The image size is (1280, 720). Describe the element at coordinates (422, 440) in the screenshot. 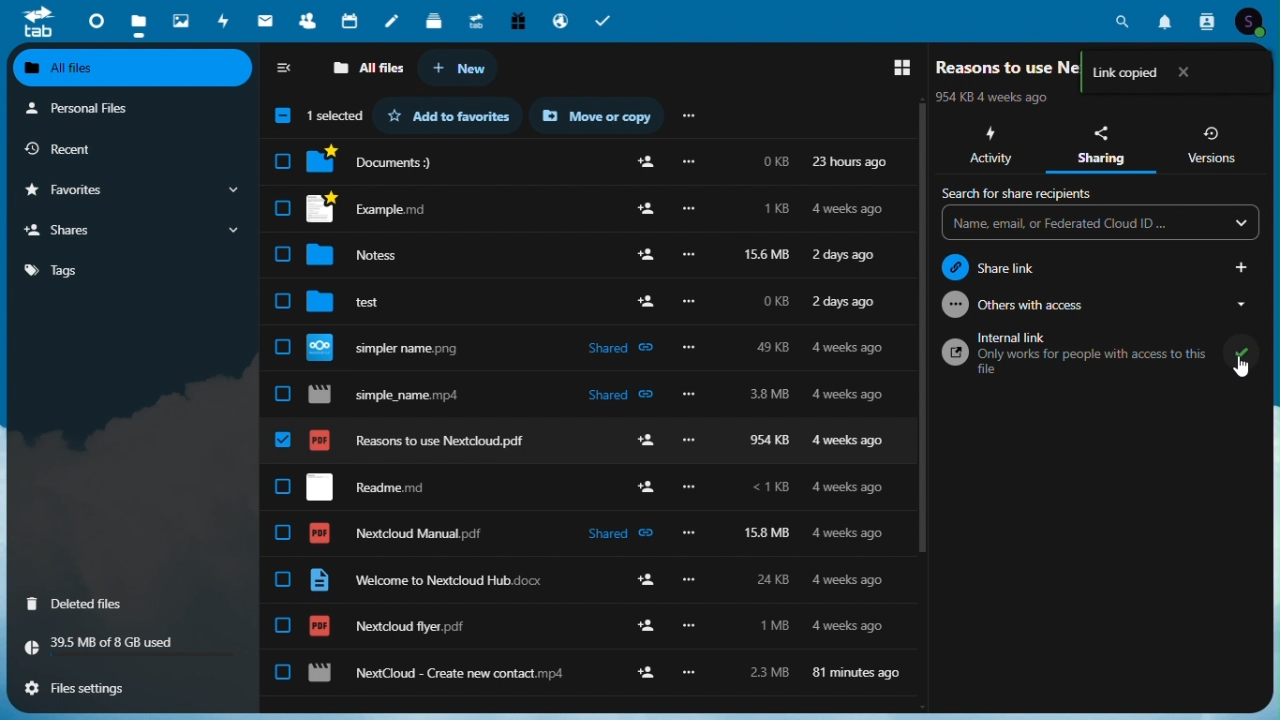

I see `reasons to use nextcloud.pdf` at that location.